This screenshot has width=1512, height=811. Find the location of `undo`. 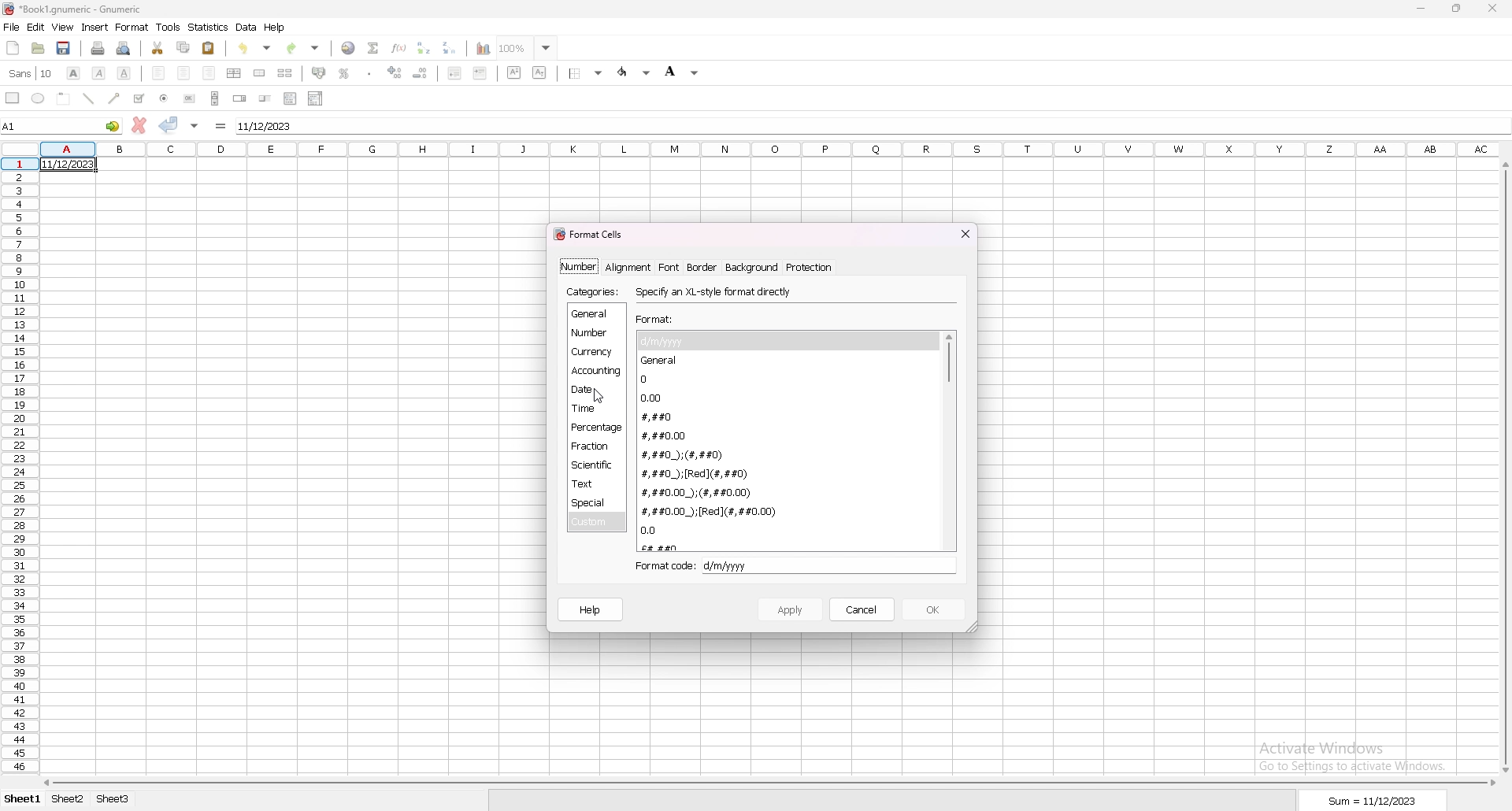

undo is located at coordinates (255, 48).